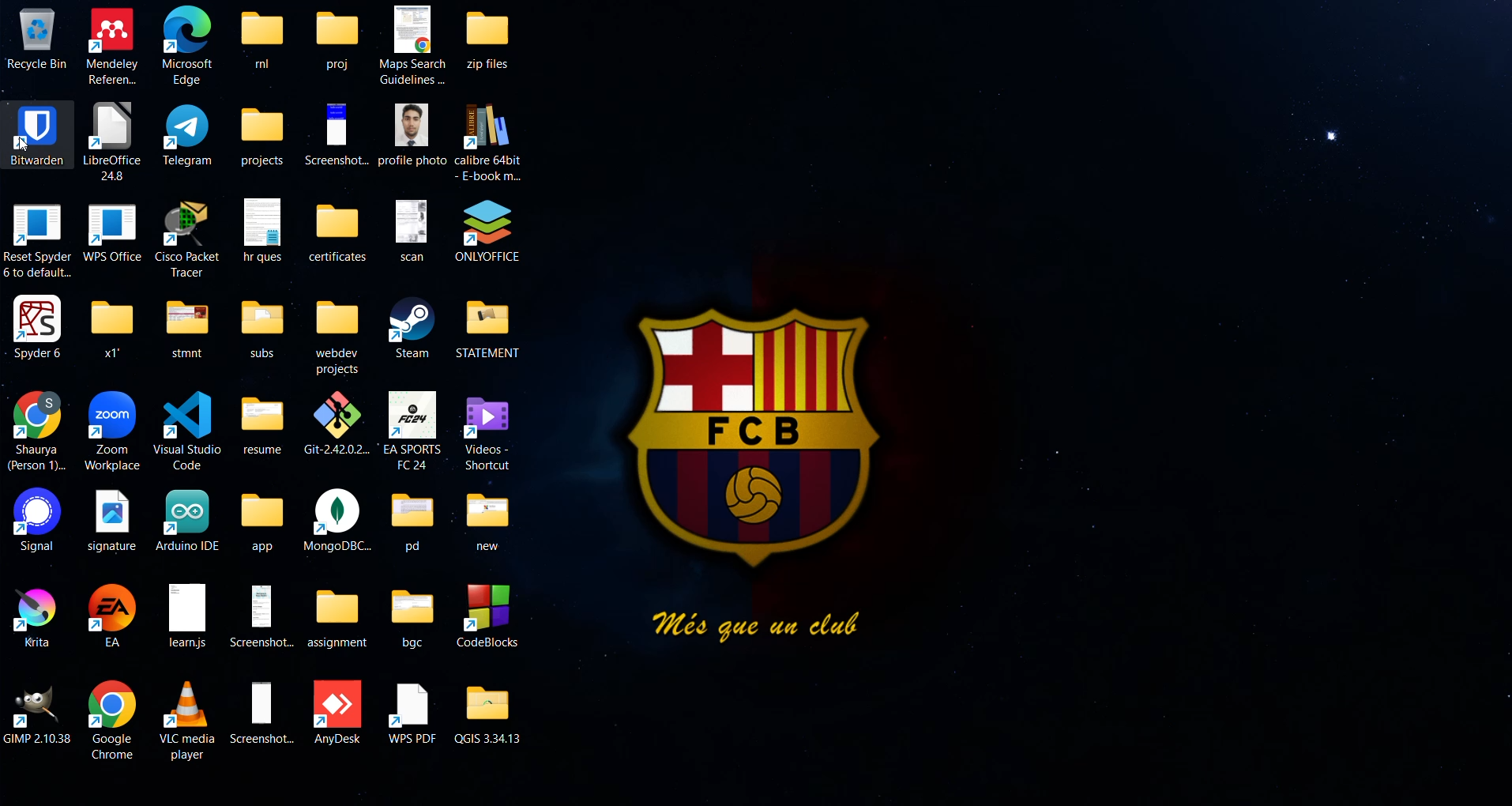  I want to click on subs, so click(262, 329).